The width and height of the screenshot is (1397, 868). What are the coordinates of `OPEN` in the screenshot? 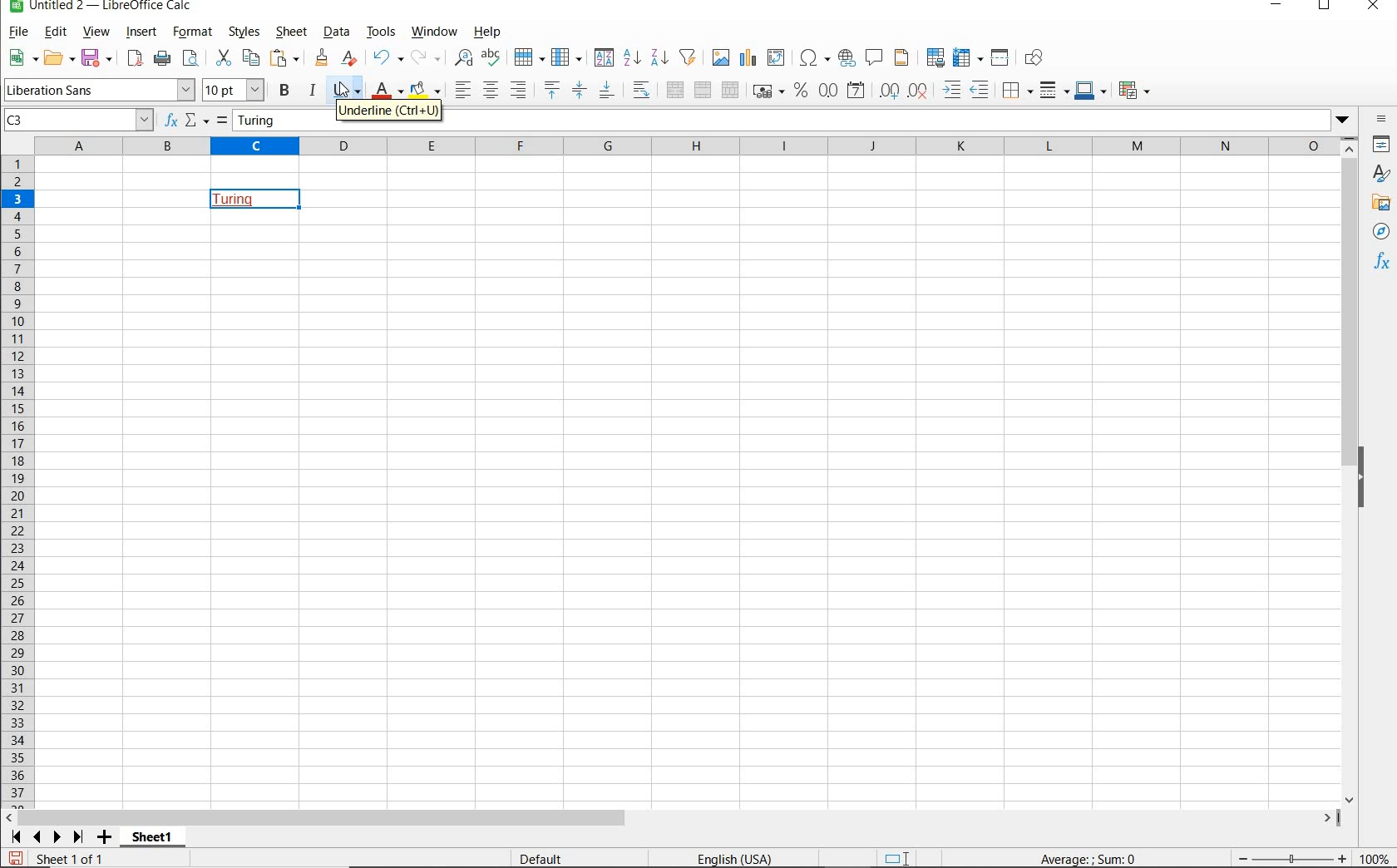 It's located at (57, 57).